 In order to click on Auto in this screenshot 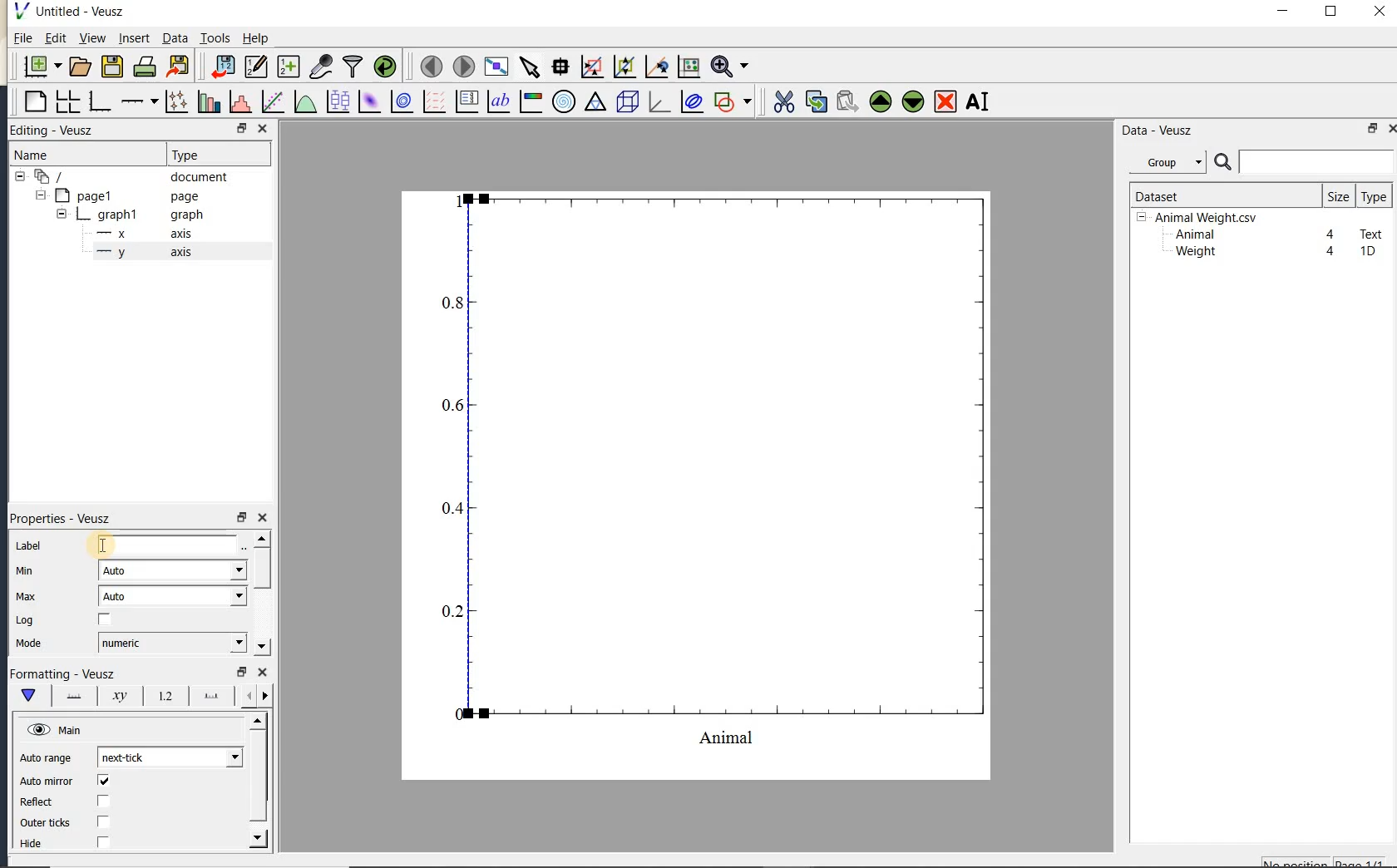, I will do `click(172, 570)`.